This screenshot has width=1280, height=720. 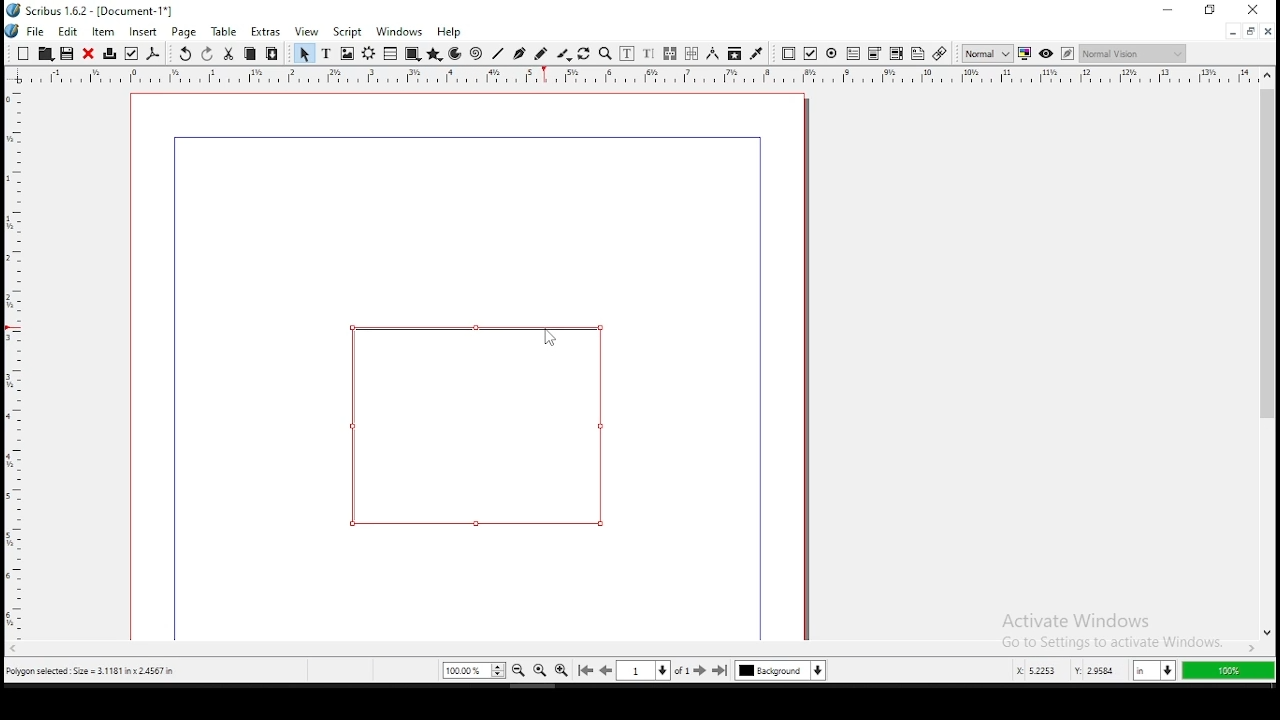 I want to click on printer, so click(x=109, y=54).